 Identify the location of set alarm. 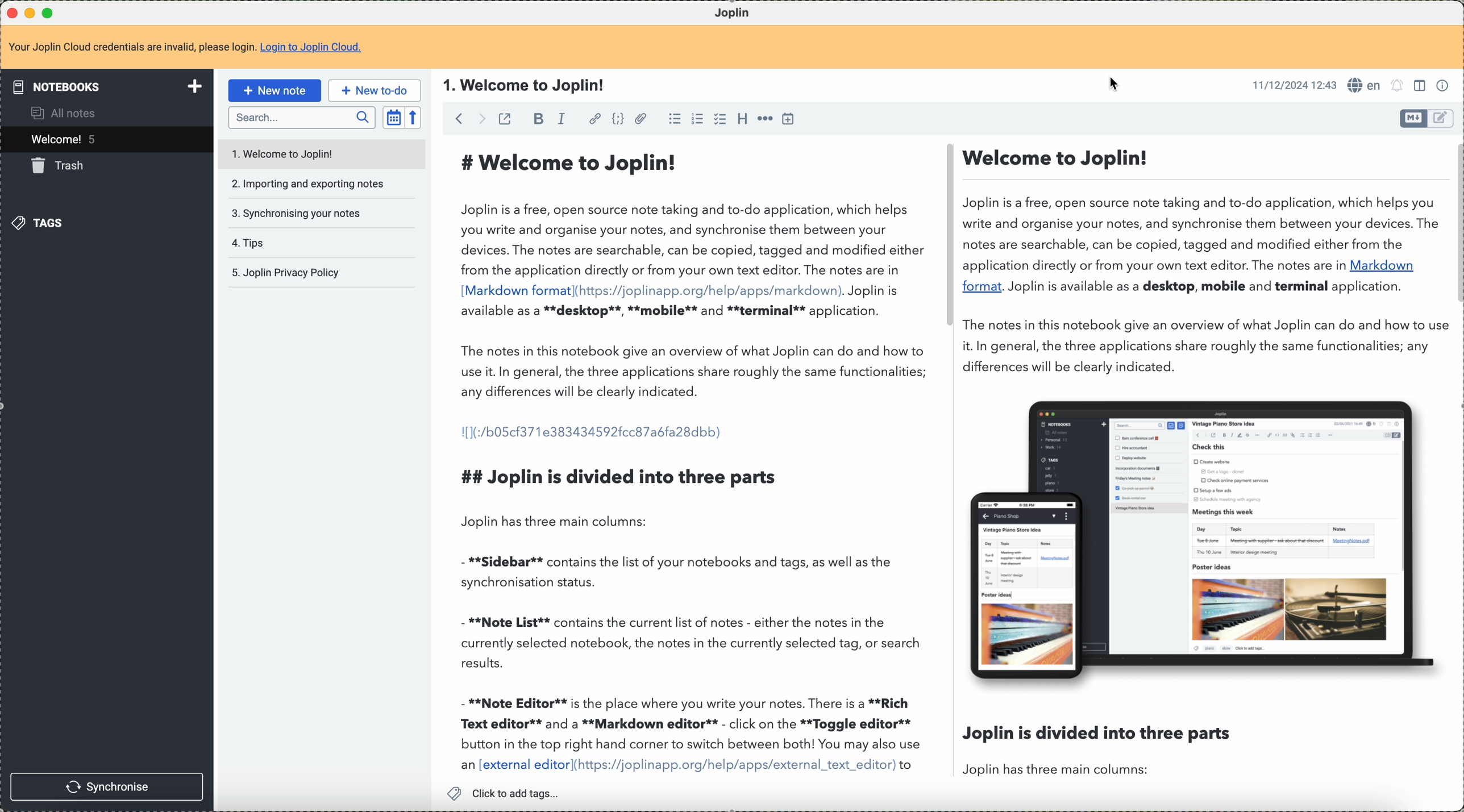
(1398, 86).